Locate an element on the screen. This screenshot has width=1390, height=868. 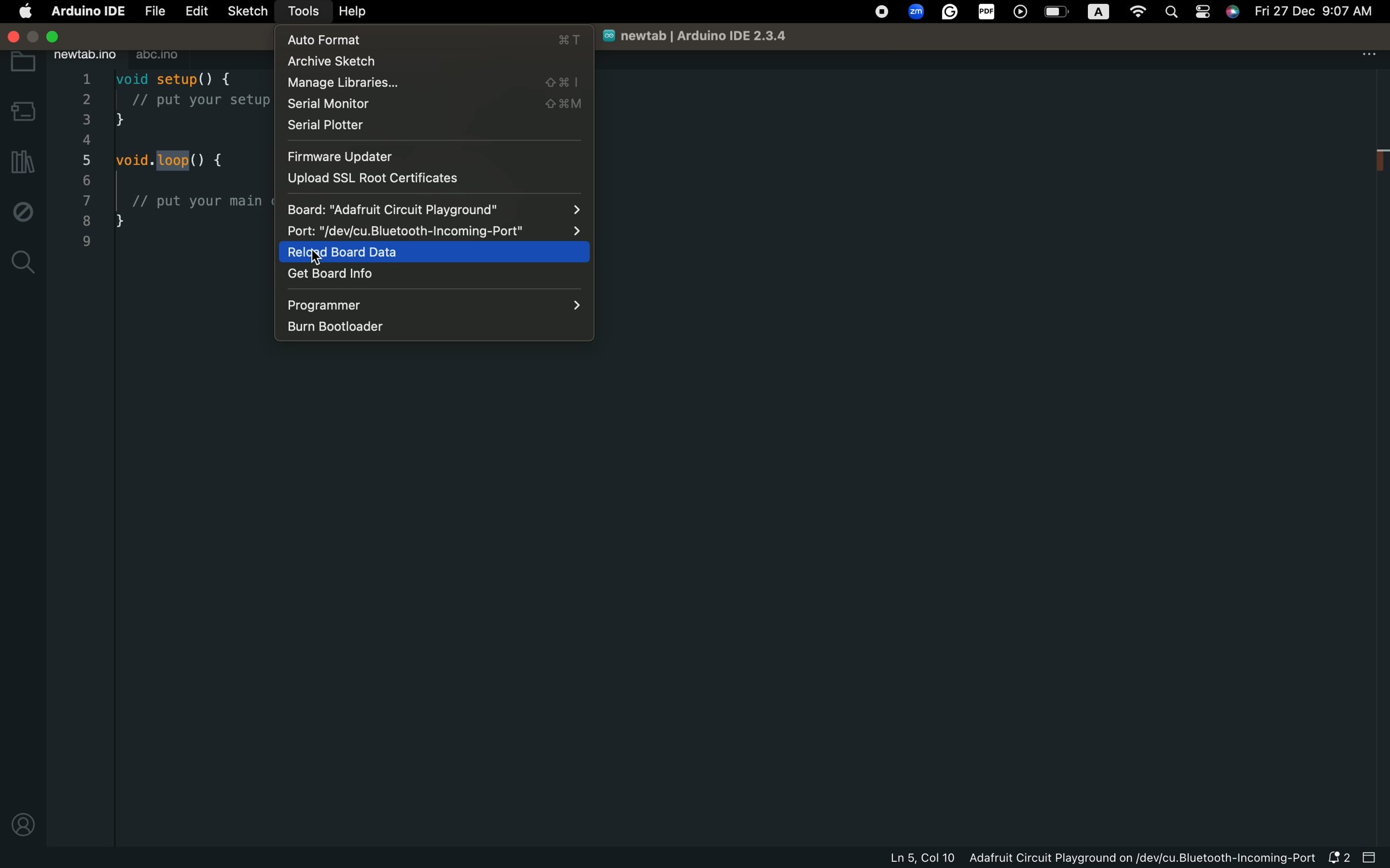
1 is located at coordinates (84, 79).